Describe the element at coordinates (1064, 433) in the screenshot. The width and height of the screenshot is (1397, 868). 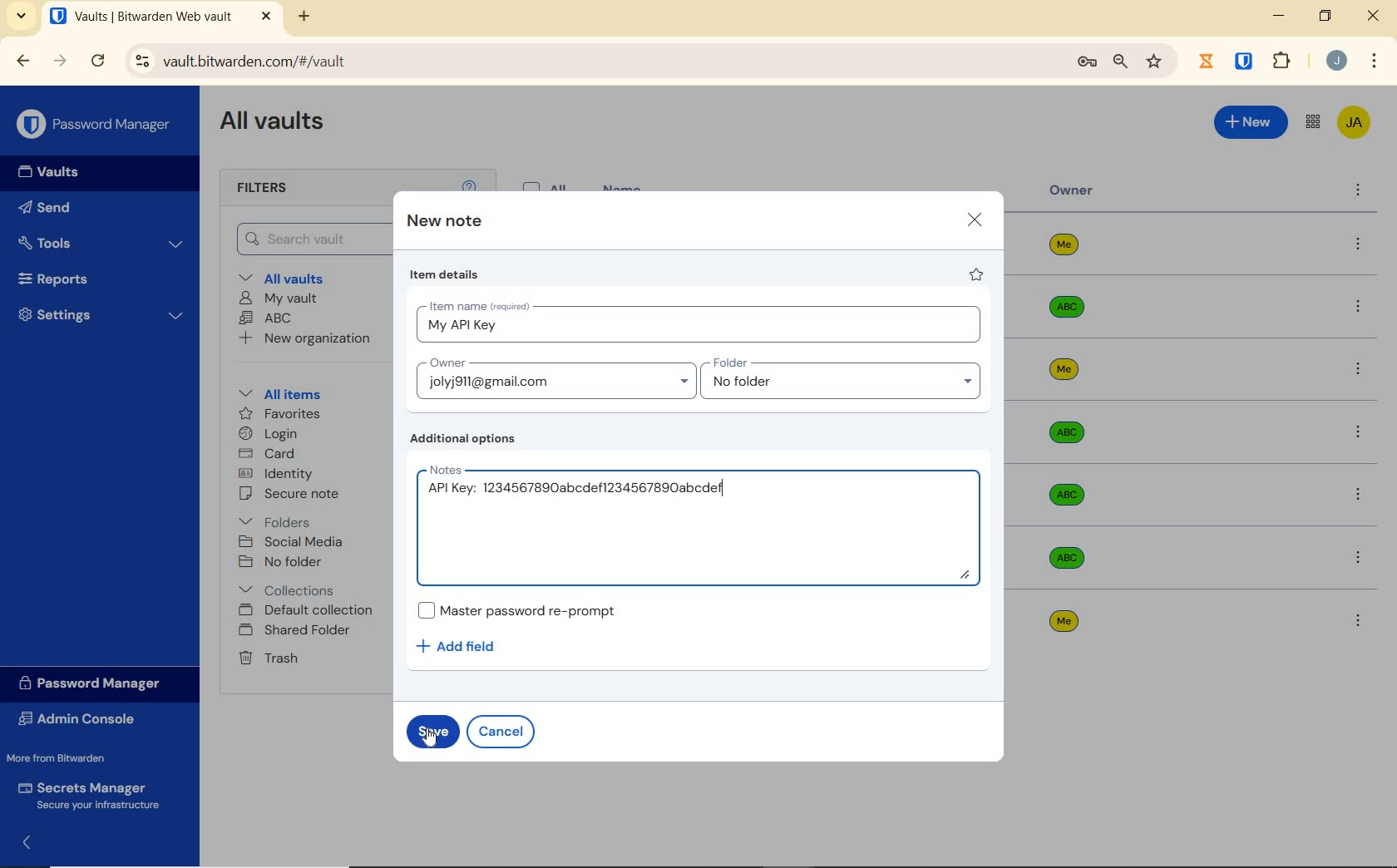
I see `Owner Name` at that location.